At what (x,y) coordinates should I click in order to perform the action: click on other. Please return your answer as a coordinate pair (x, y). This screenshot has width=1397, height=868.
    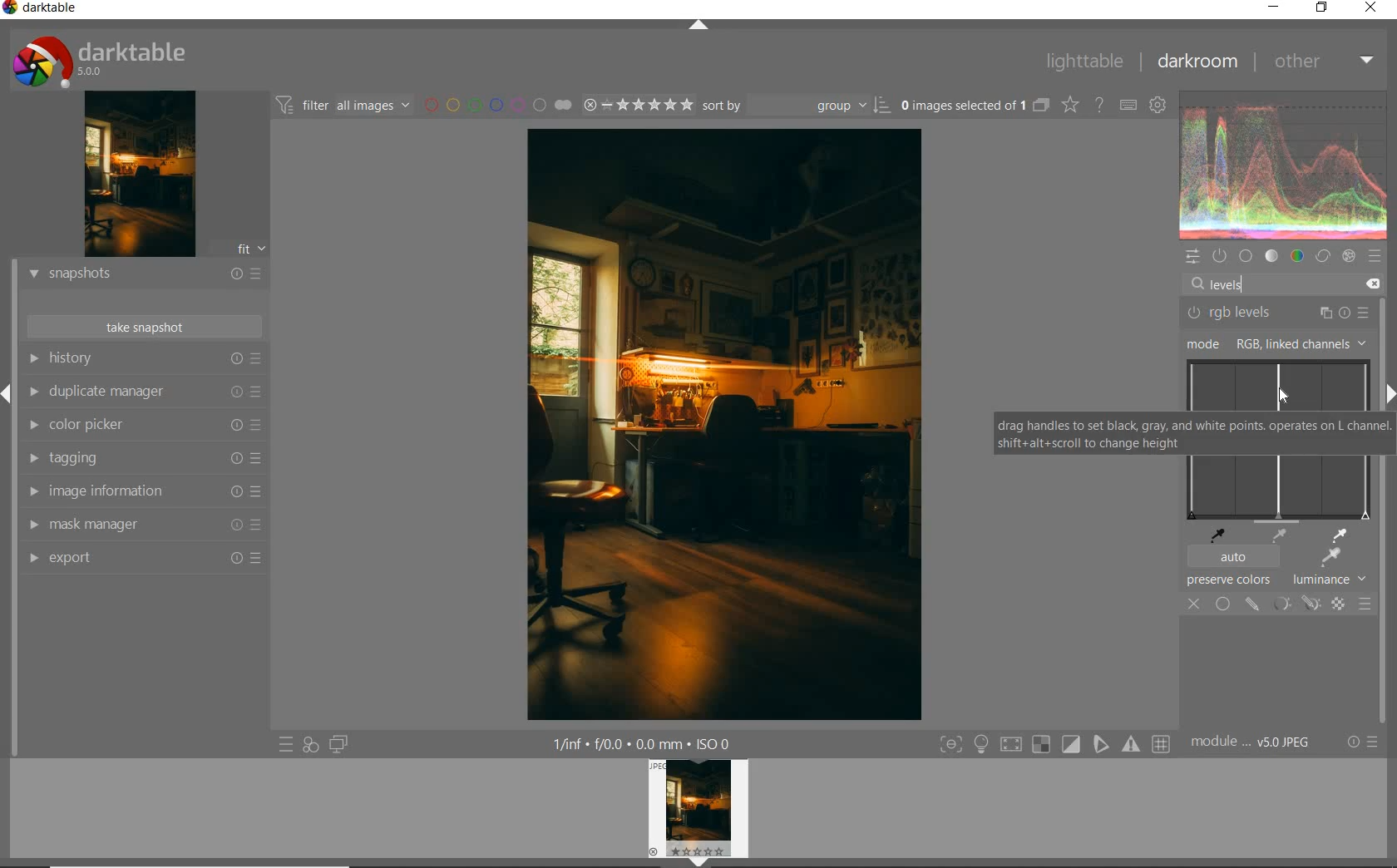
    Looking at the image, I should click on (1323, 62).